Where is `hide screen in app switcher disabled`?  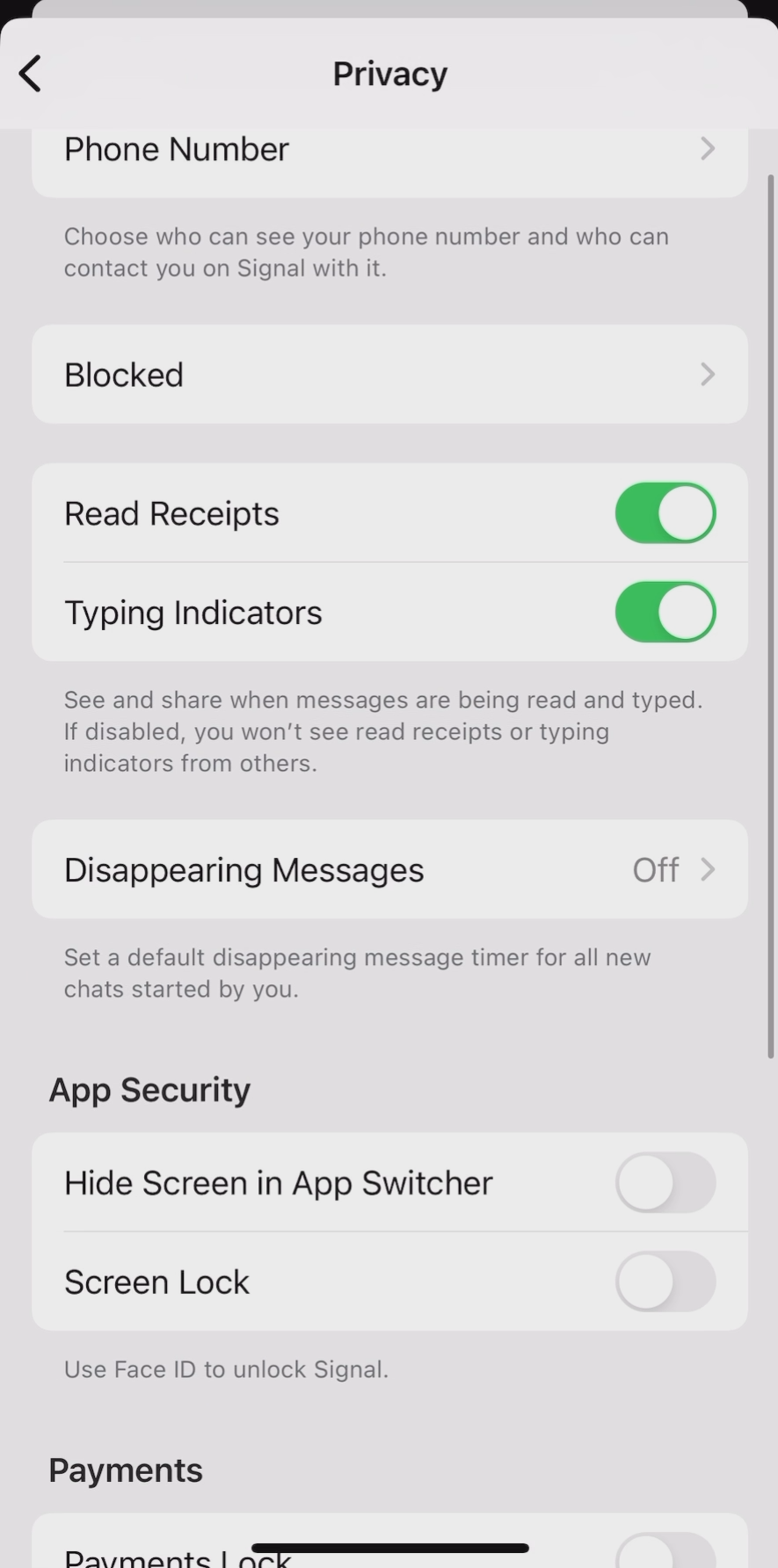 hide screen in app switcher disabled is located at coordinates (393, 1184).